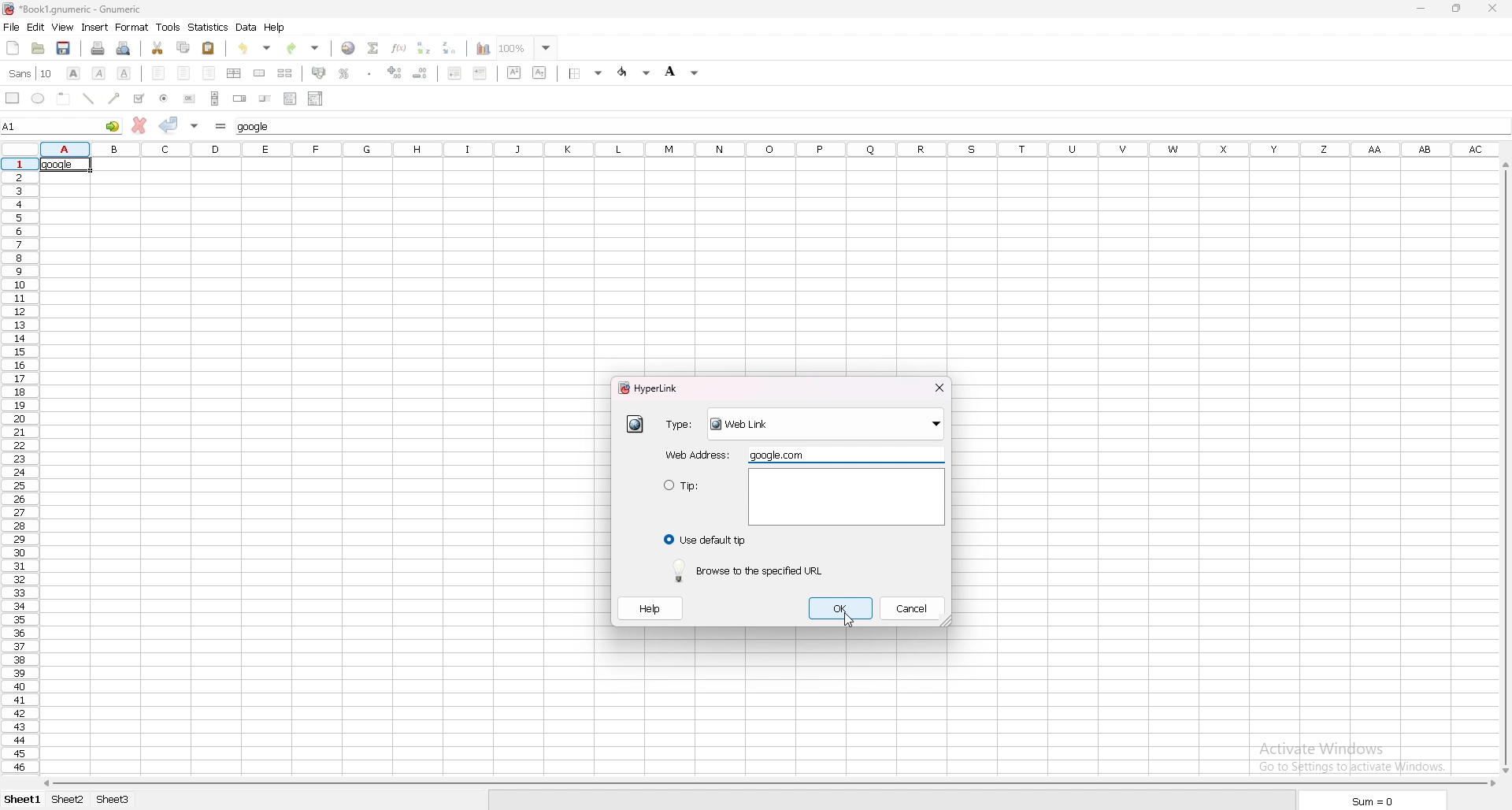  What do you see at coordinates (31, 73) in the screenshot?
I see `font` at bounding box center [31, 73].